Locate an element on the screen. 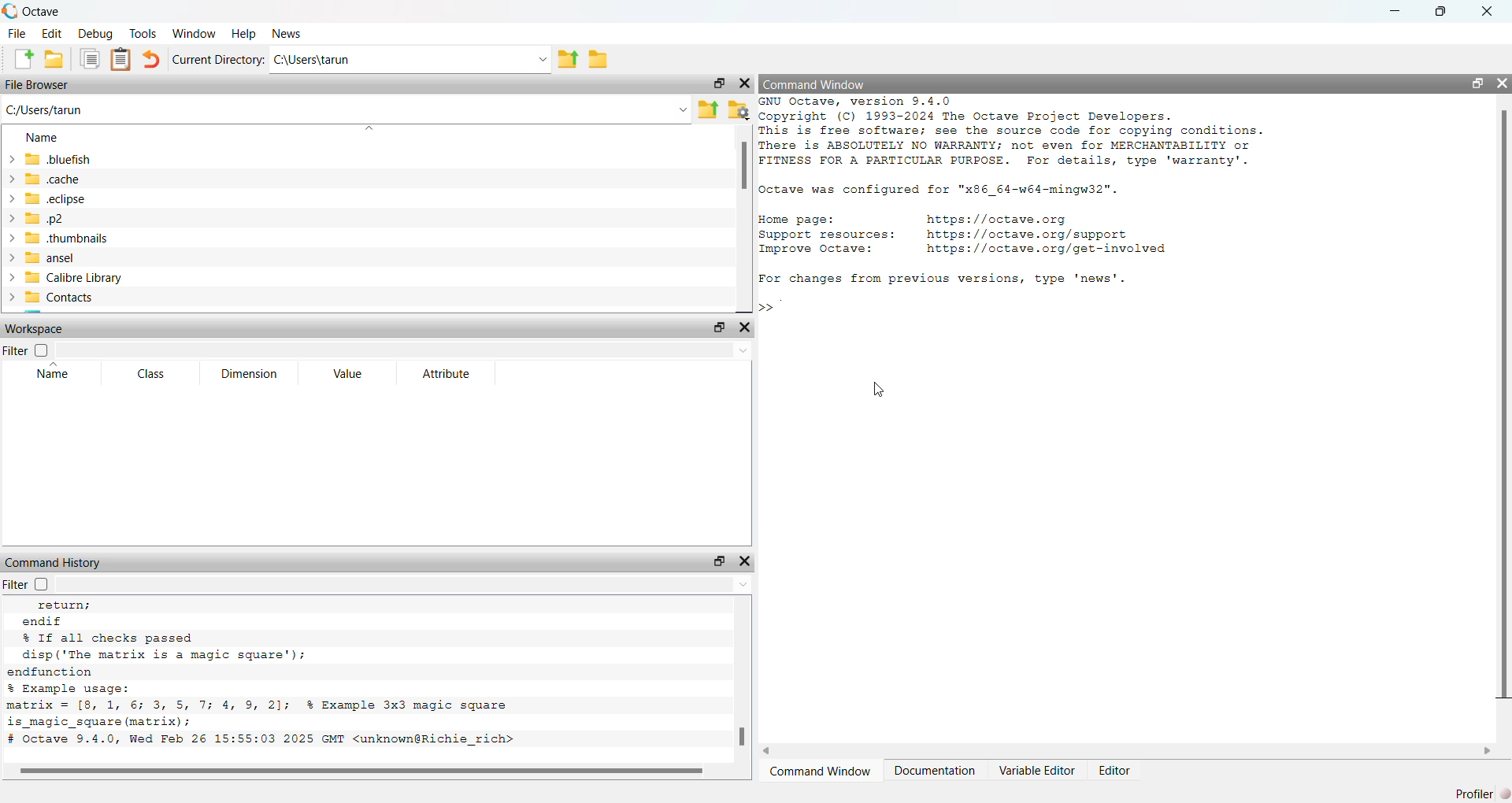 Image resolution: width=1512 pixels, height=803 pixels. ansel is located at coordinates (40, 257).